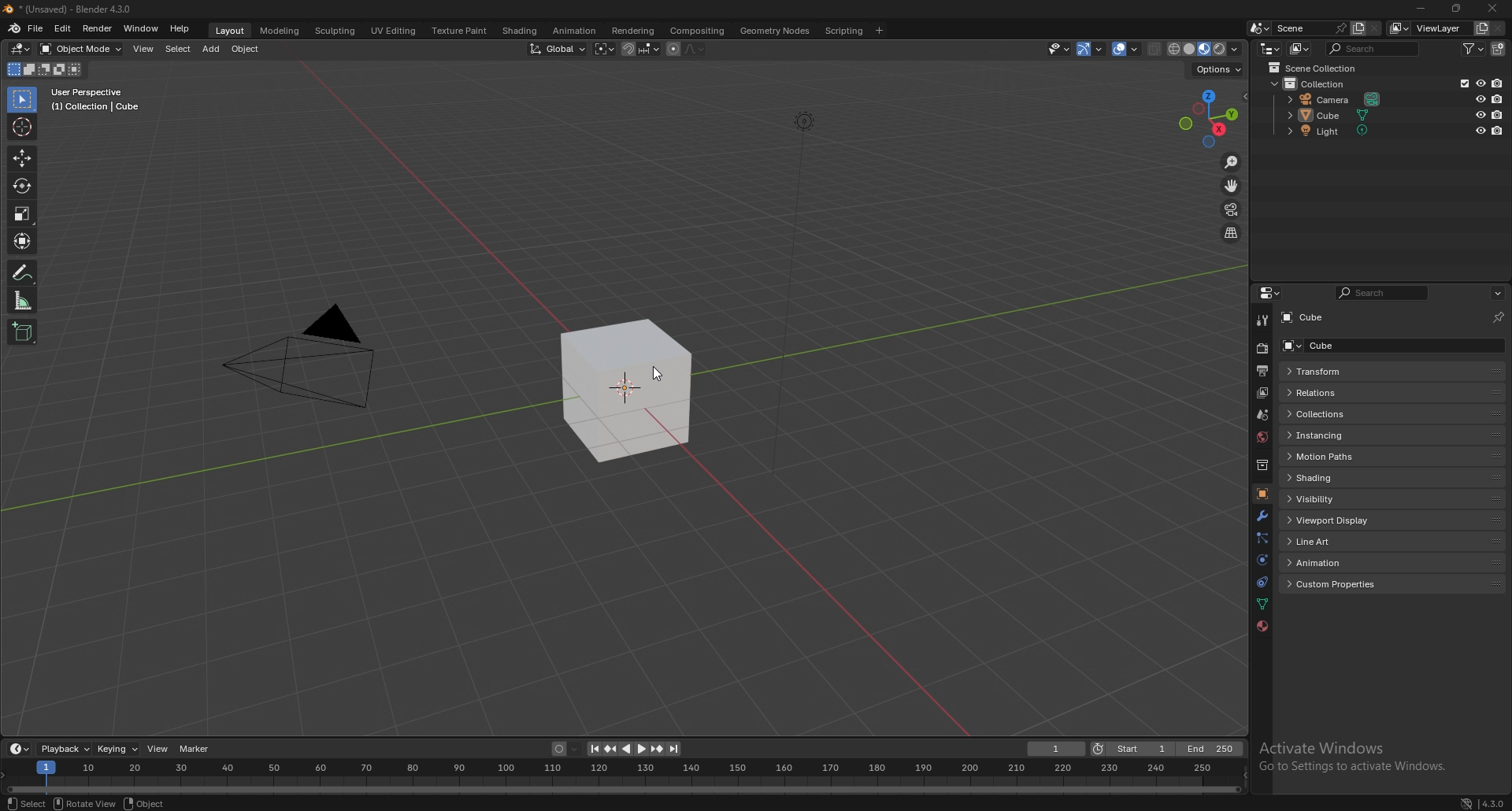 This screenshot has height=811, width=1512. What do you see at coordinates (1339, 372) in the screenshot?
I see `transform` at bounding box center [1339, 372].